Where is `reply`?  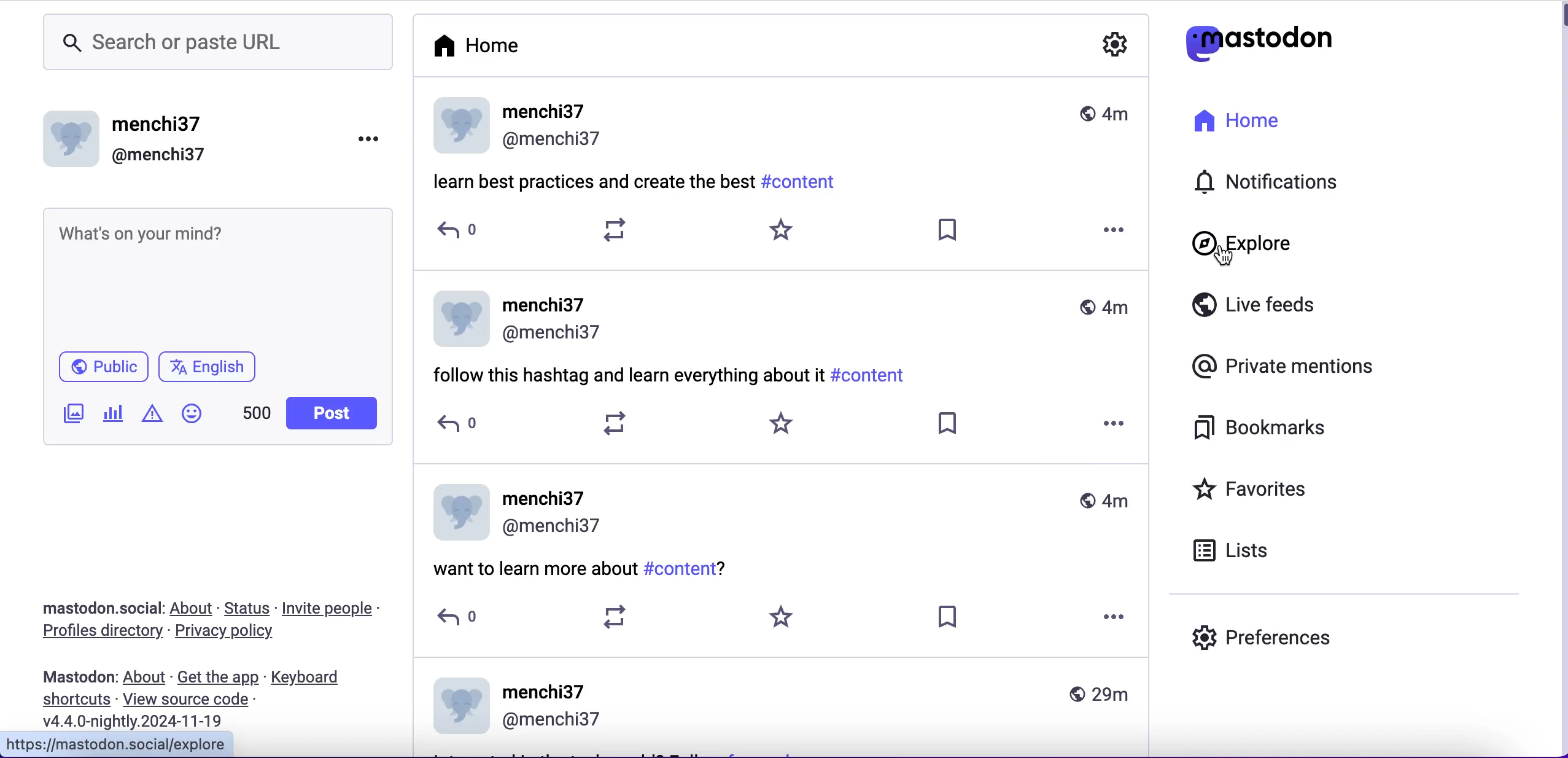
reply is located at coordinates (458, 616).